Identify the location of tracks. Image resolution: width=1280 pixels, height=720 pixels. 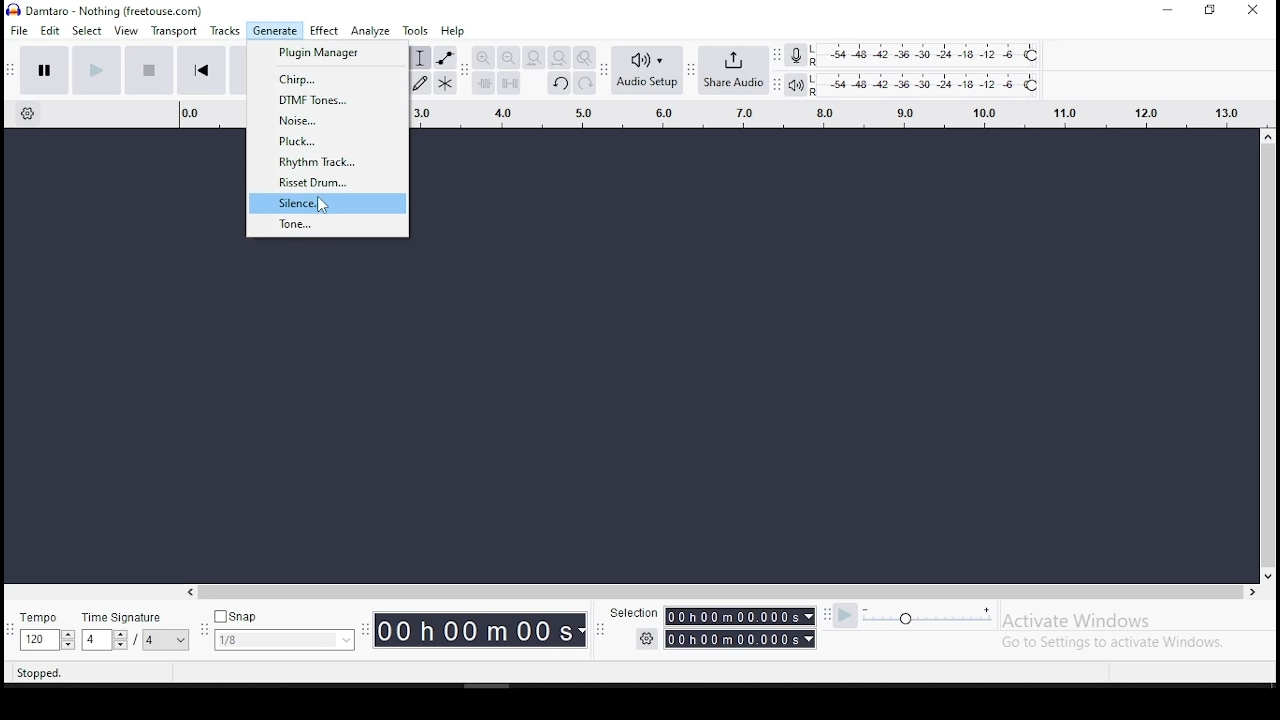
(224, 31).